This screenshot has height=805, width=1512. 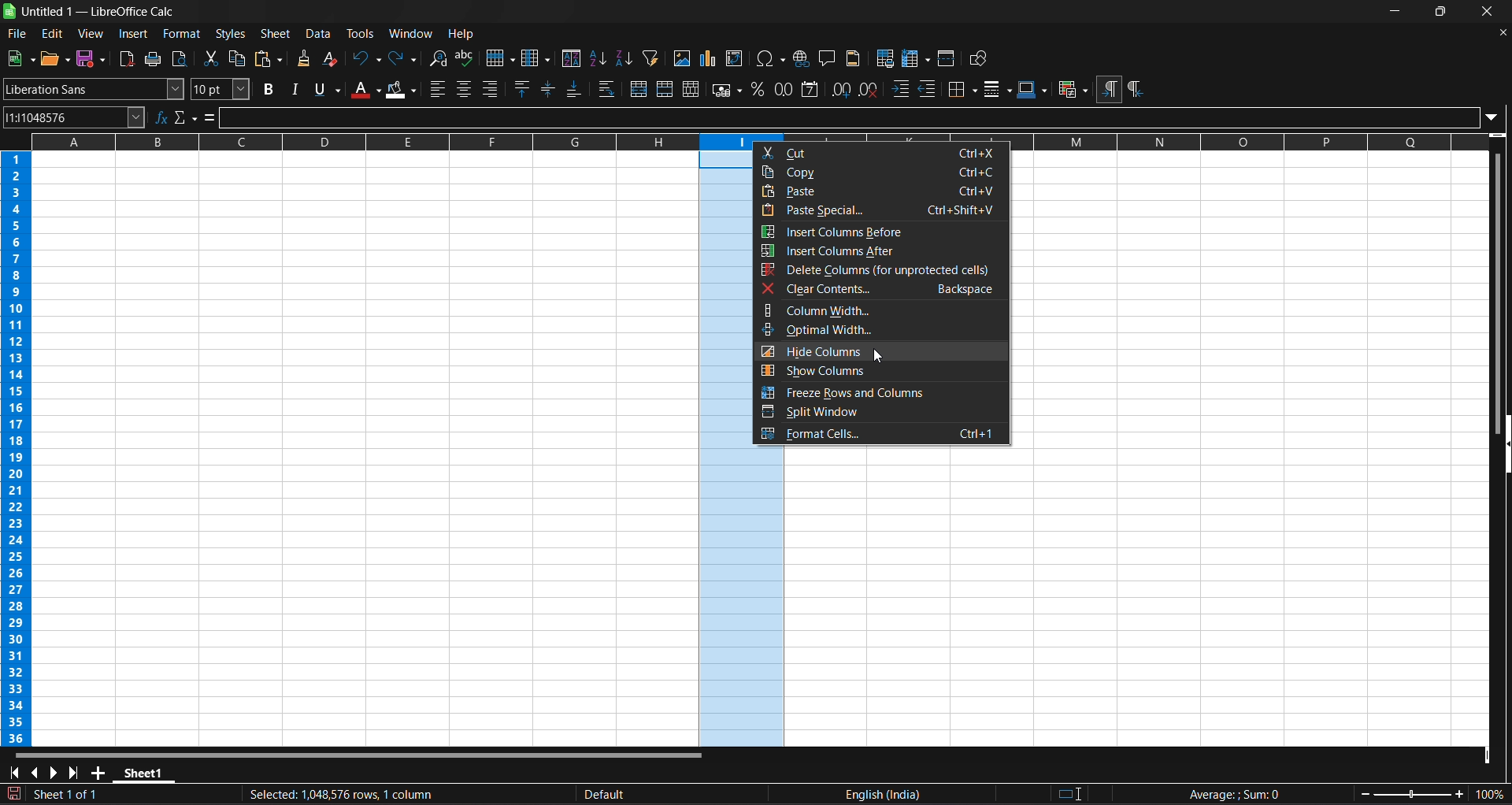 I want to click on freeze rows and columns, so click(x=881, y=391).